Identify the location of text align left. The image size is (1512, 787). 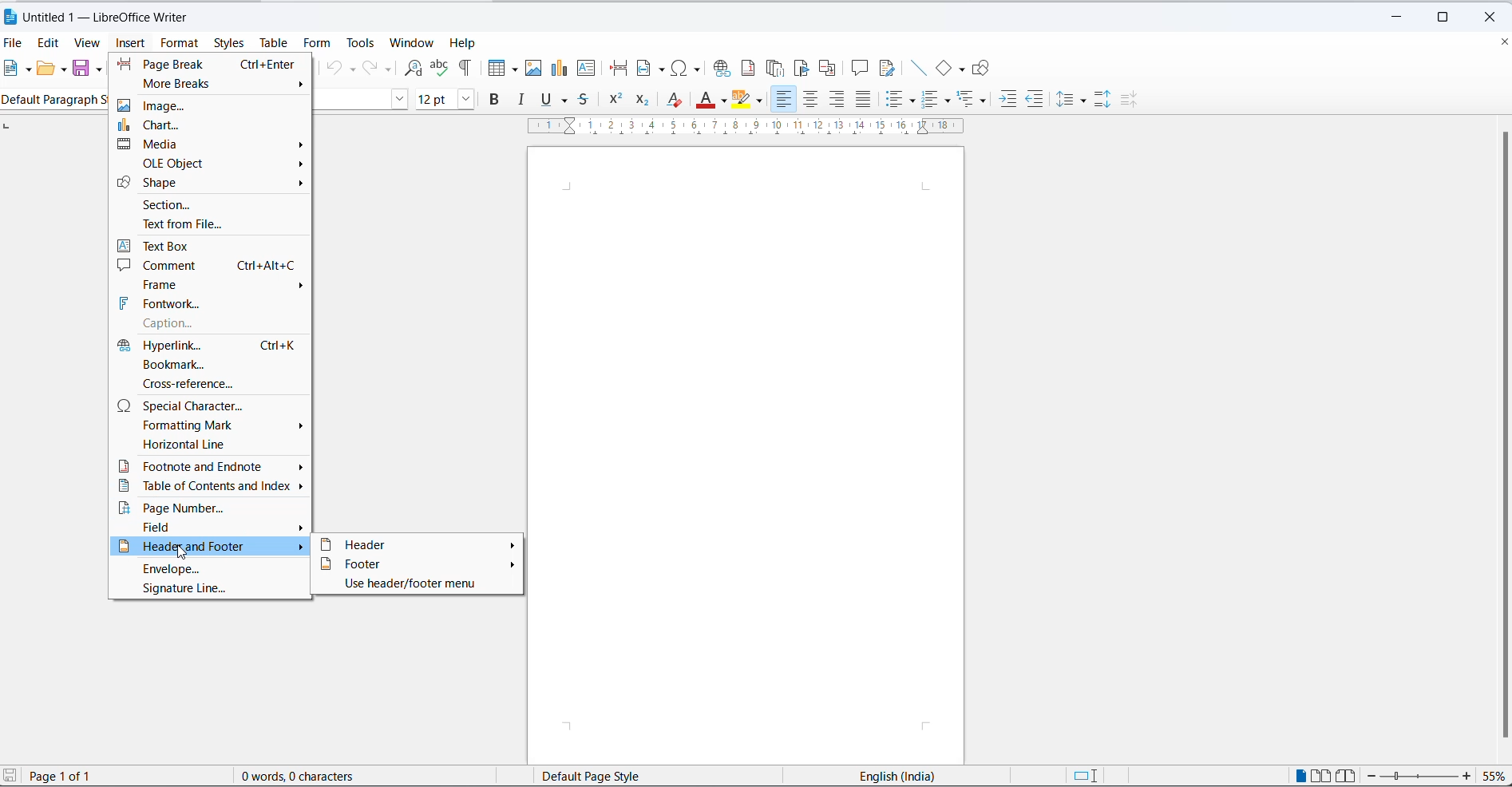
(836, 99).